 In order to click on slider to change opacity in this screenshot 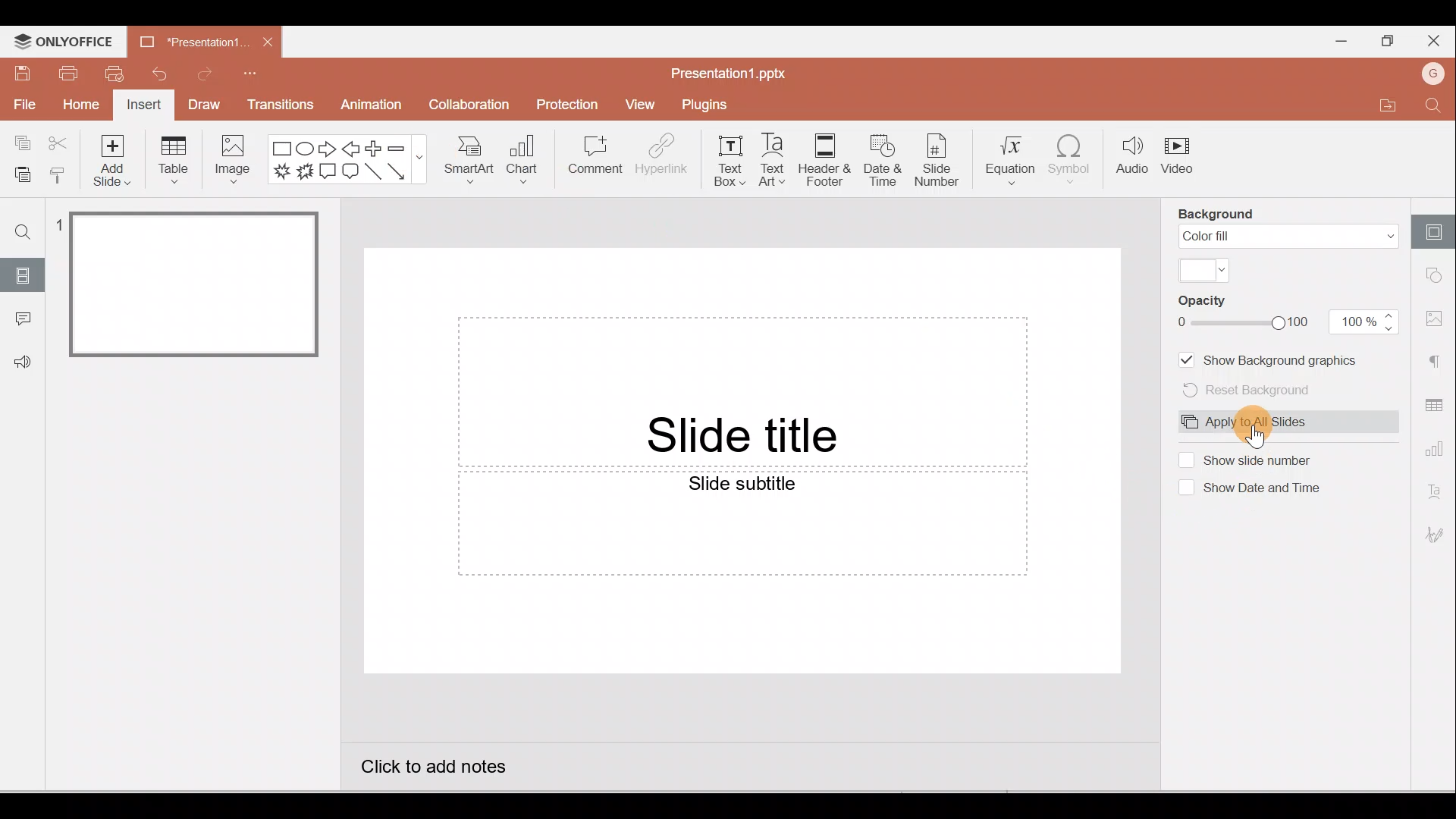, I will do `click(1244, 322)`.